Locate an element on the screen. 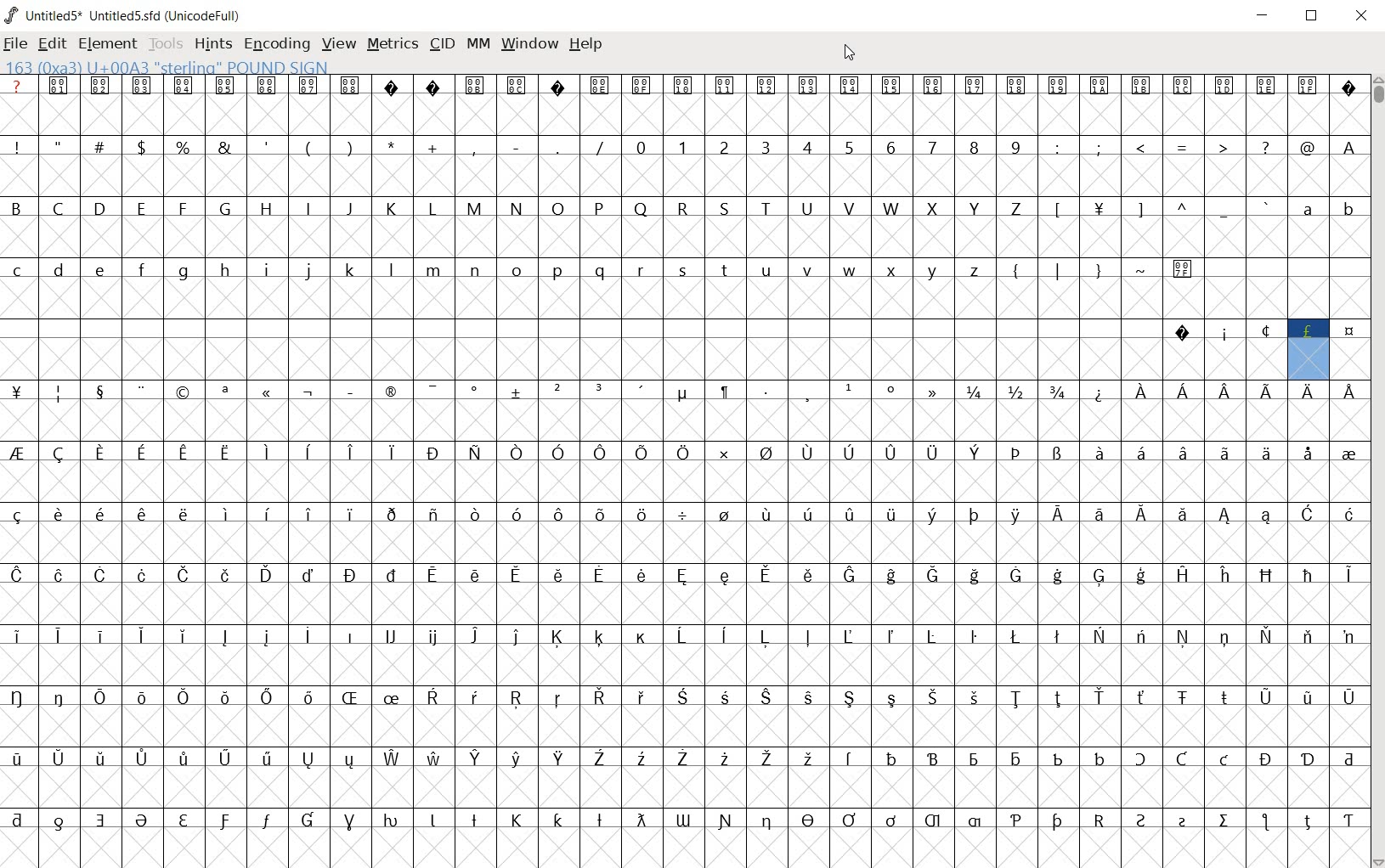  EDIT is located at coordinates (52, 45).